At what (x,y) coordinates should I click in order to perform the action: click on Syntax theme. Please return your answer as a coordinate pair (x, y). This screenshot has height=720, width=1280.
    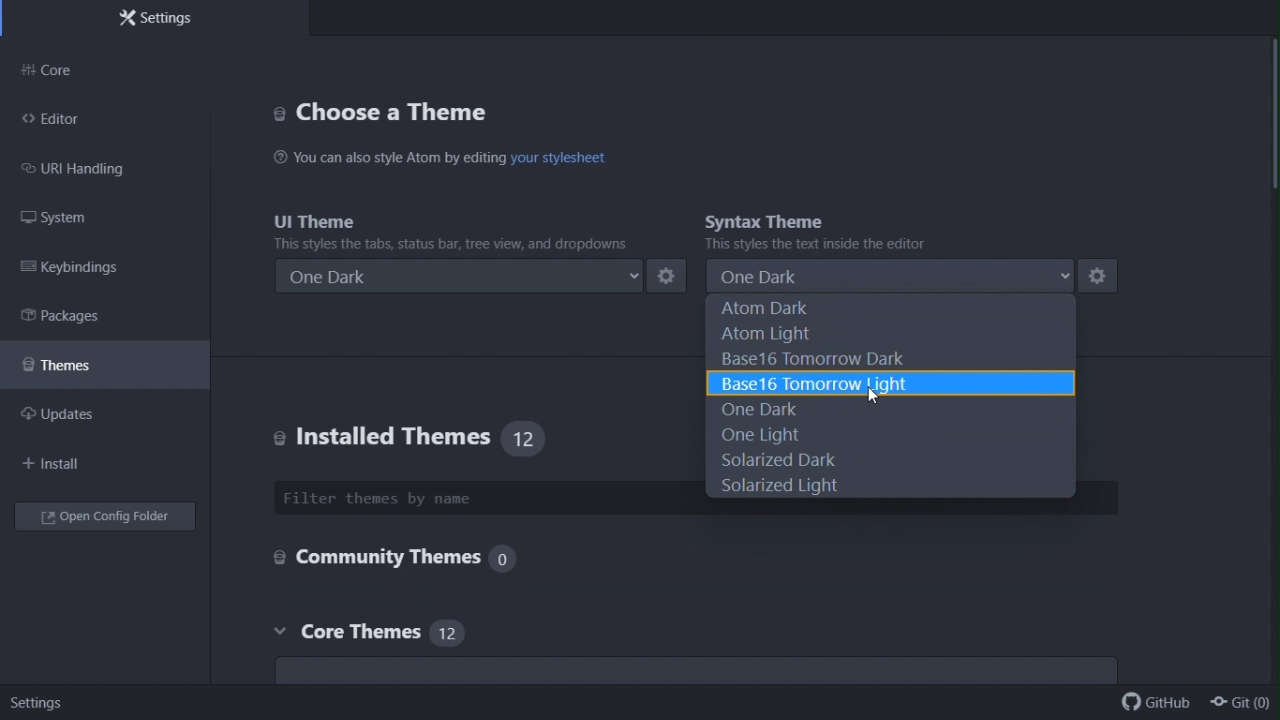
    Looking at the image, I should click on (845, 229).